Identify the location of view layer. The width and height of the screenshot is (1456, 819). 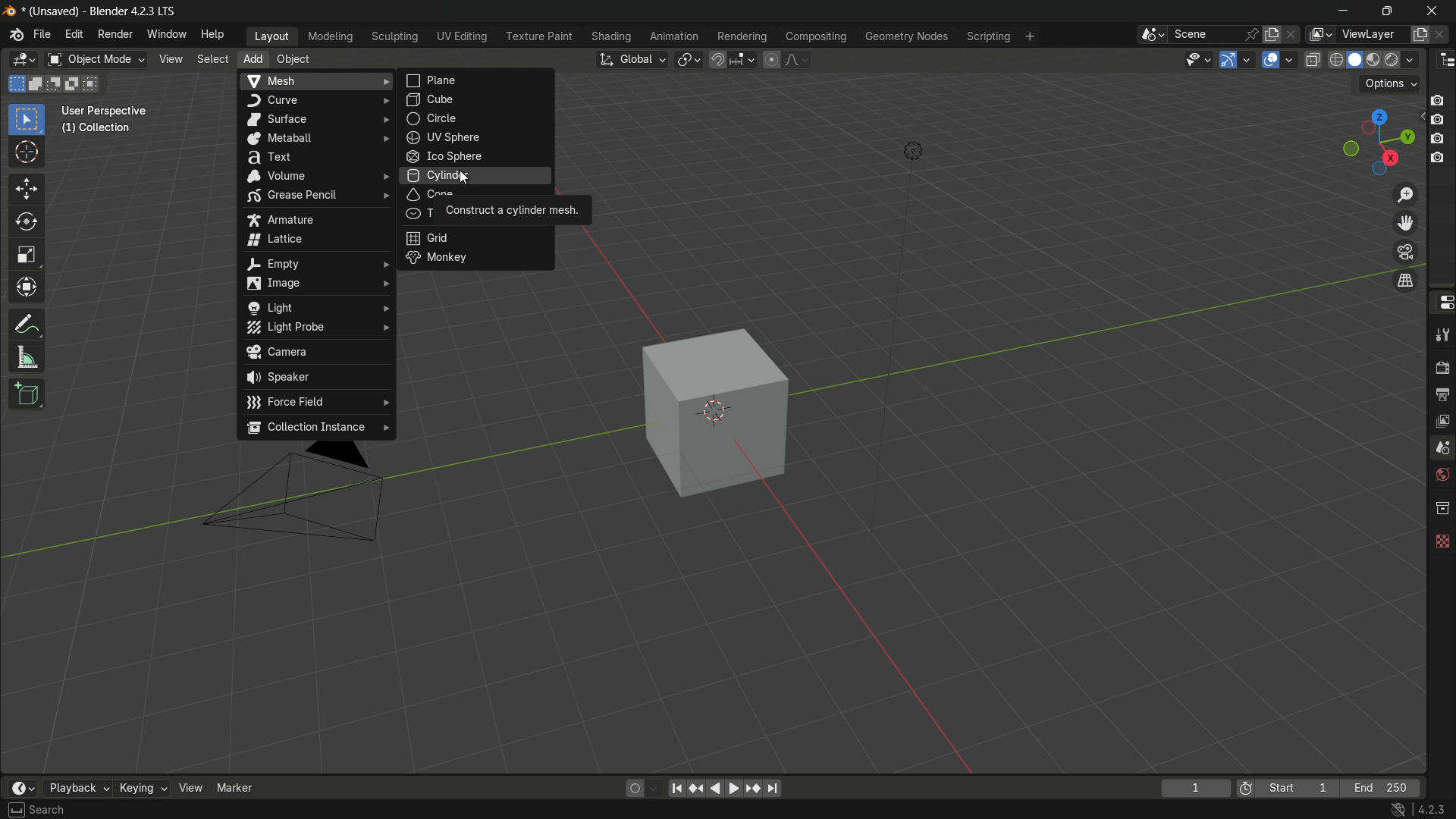
(1318, 34).